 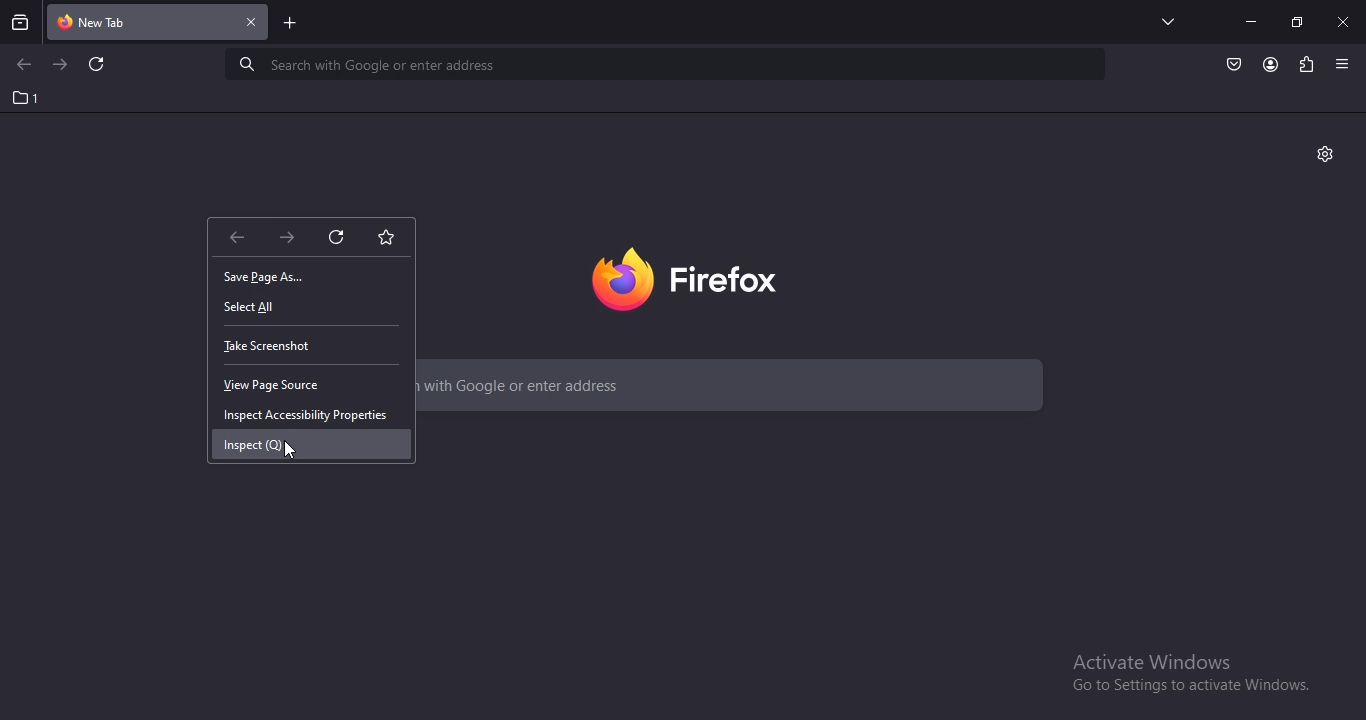 I want to click on restore, so click(x=1296, y=21).